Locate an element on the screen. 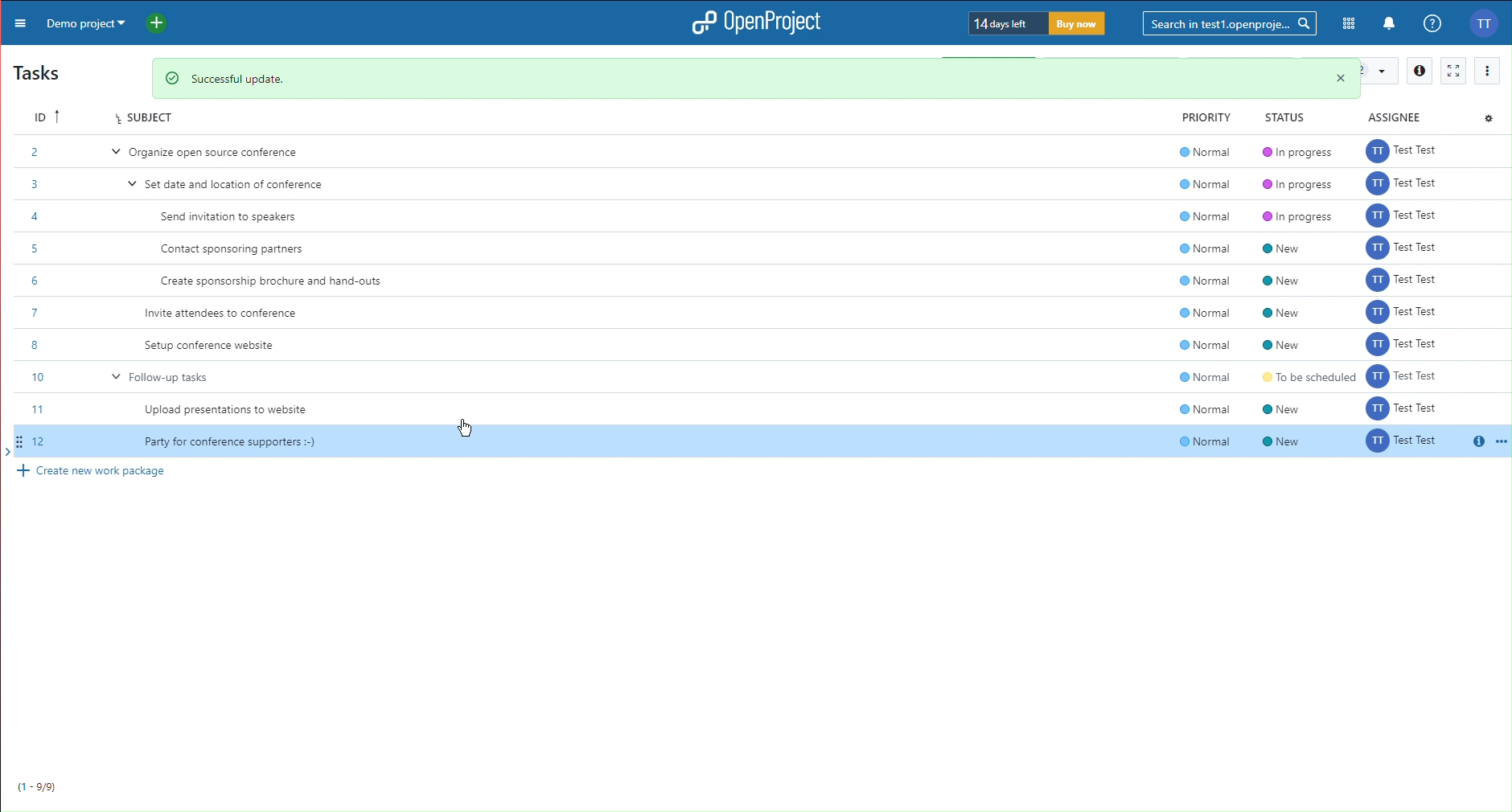 The width and height of the screenshot is (1512, 812). info is located at coordinates (1474, 439).